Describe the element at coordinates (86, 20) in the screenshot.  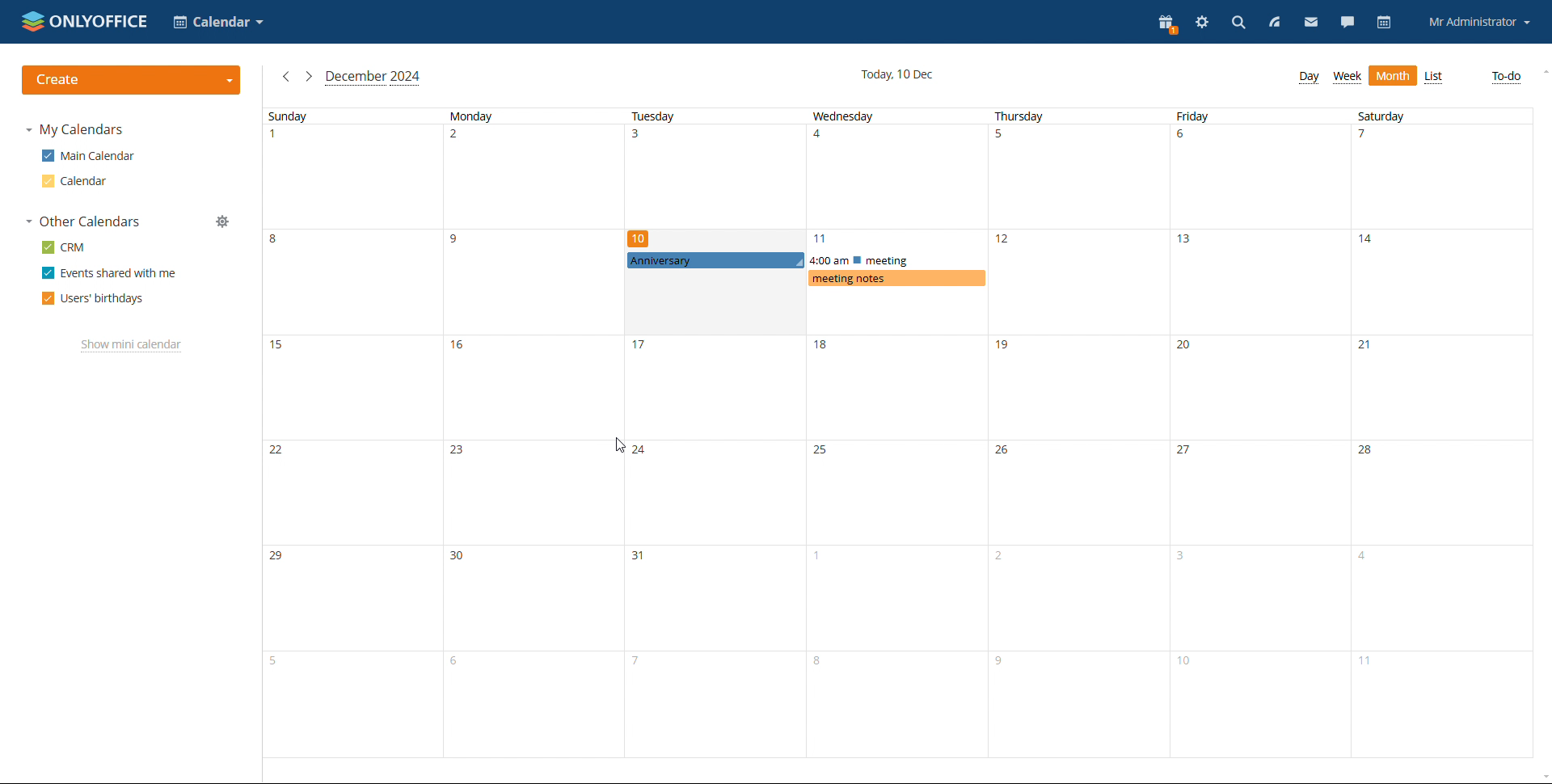
I see `logo` at that location.